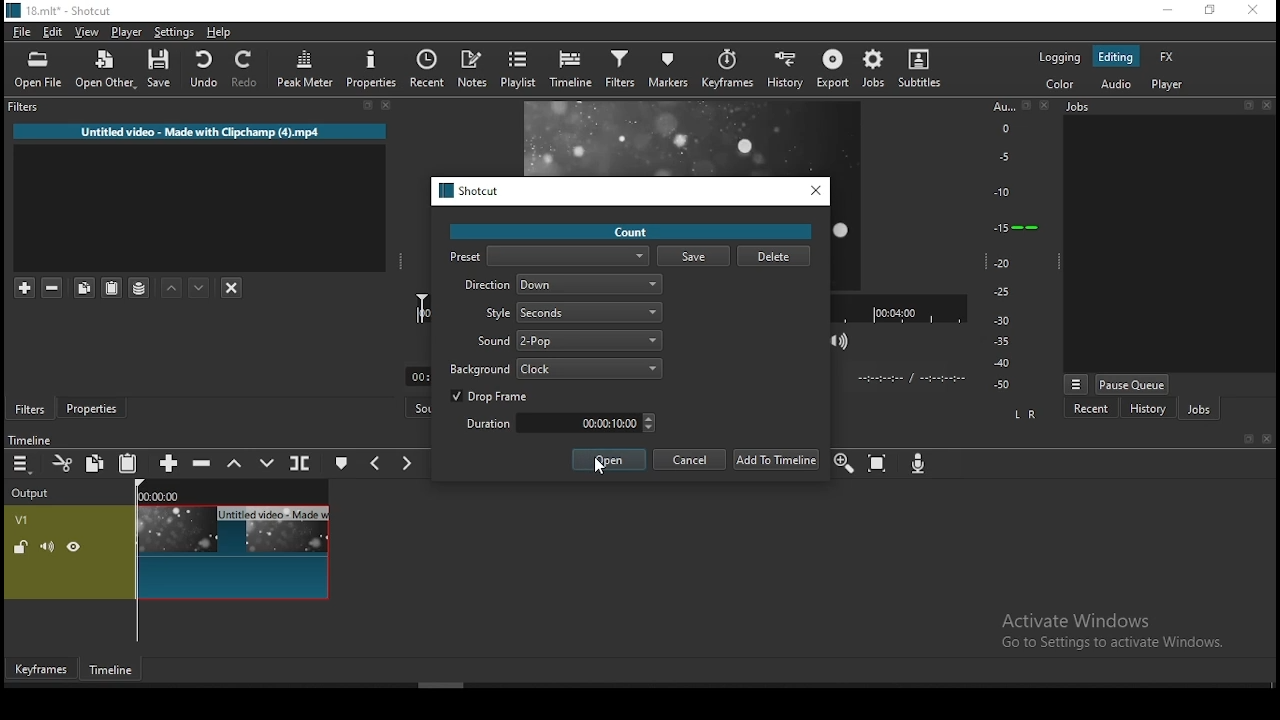 The image size is (1280, 720). What do you see at coordinates (635, 229) in the screenshot?
I see `count` at bounding box center [635, 229].